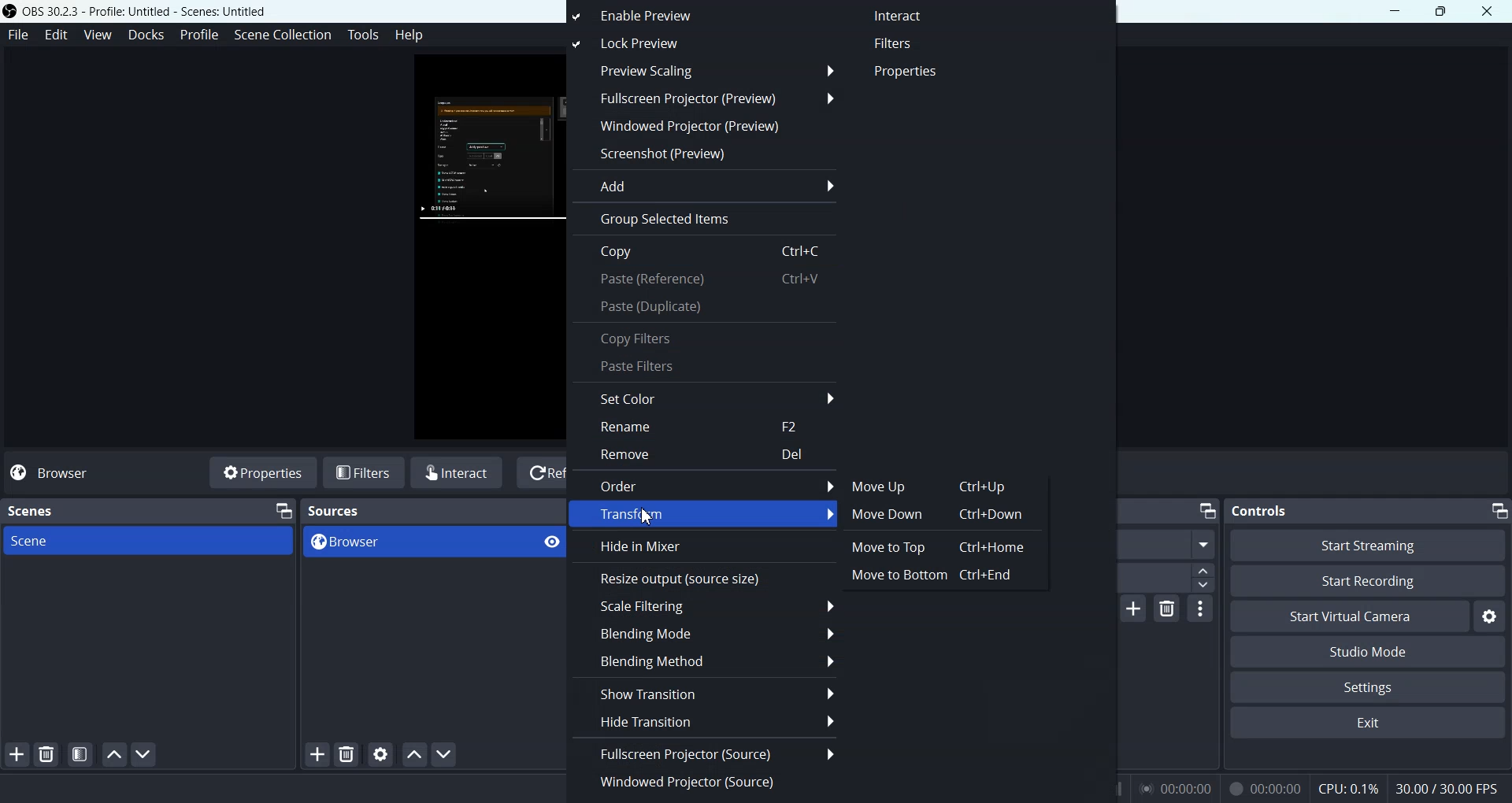  What do you see at coordinates (1395, 11) in the screenshot?
I see `Minimize` at bounding box center [1395, 11].